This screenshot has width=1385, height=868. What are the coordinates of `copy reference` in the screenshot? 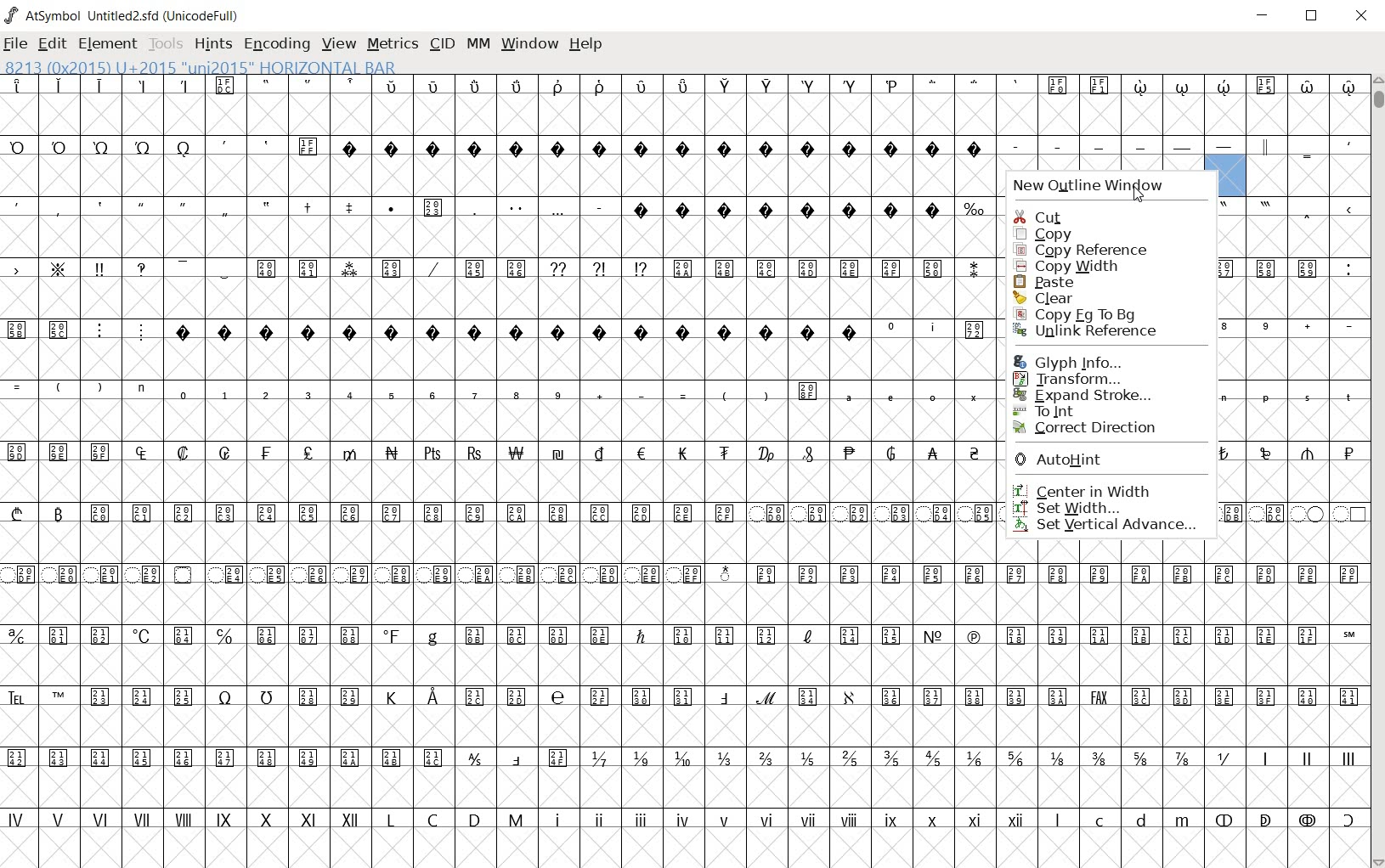 It's located at (1082, 249).